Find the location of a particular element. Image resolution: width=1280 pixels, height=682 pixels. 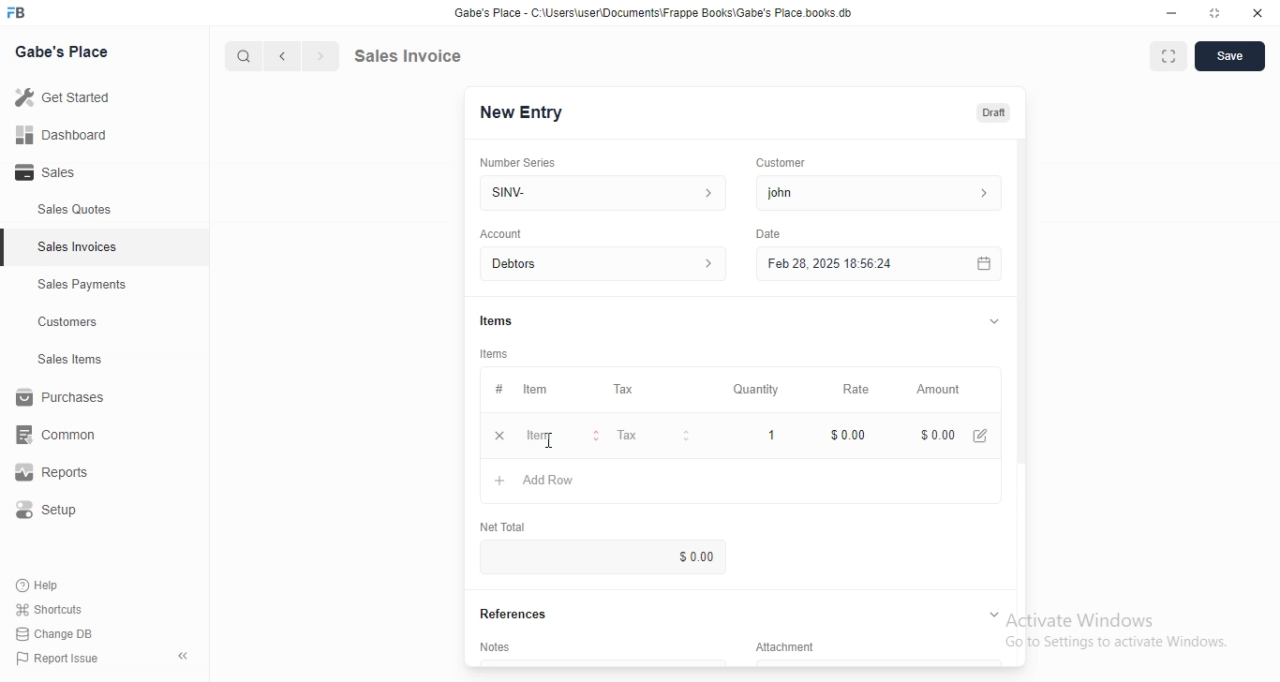

collapse is located at coordinates (991, 321).